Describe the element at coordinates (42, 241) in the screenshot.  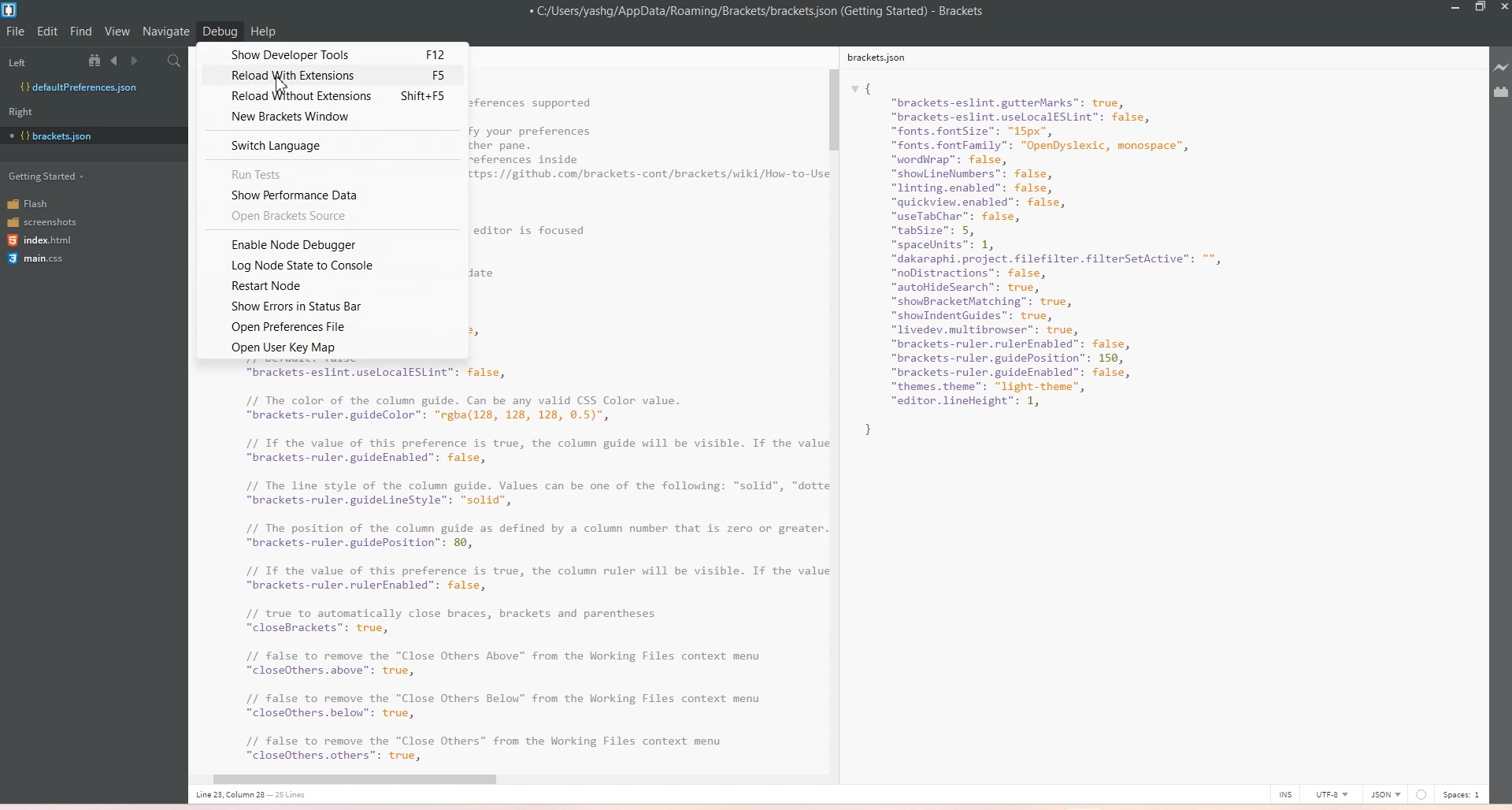
I see `index.html` at that location.